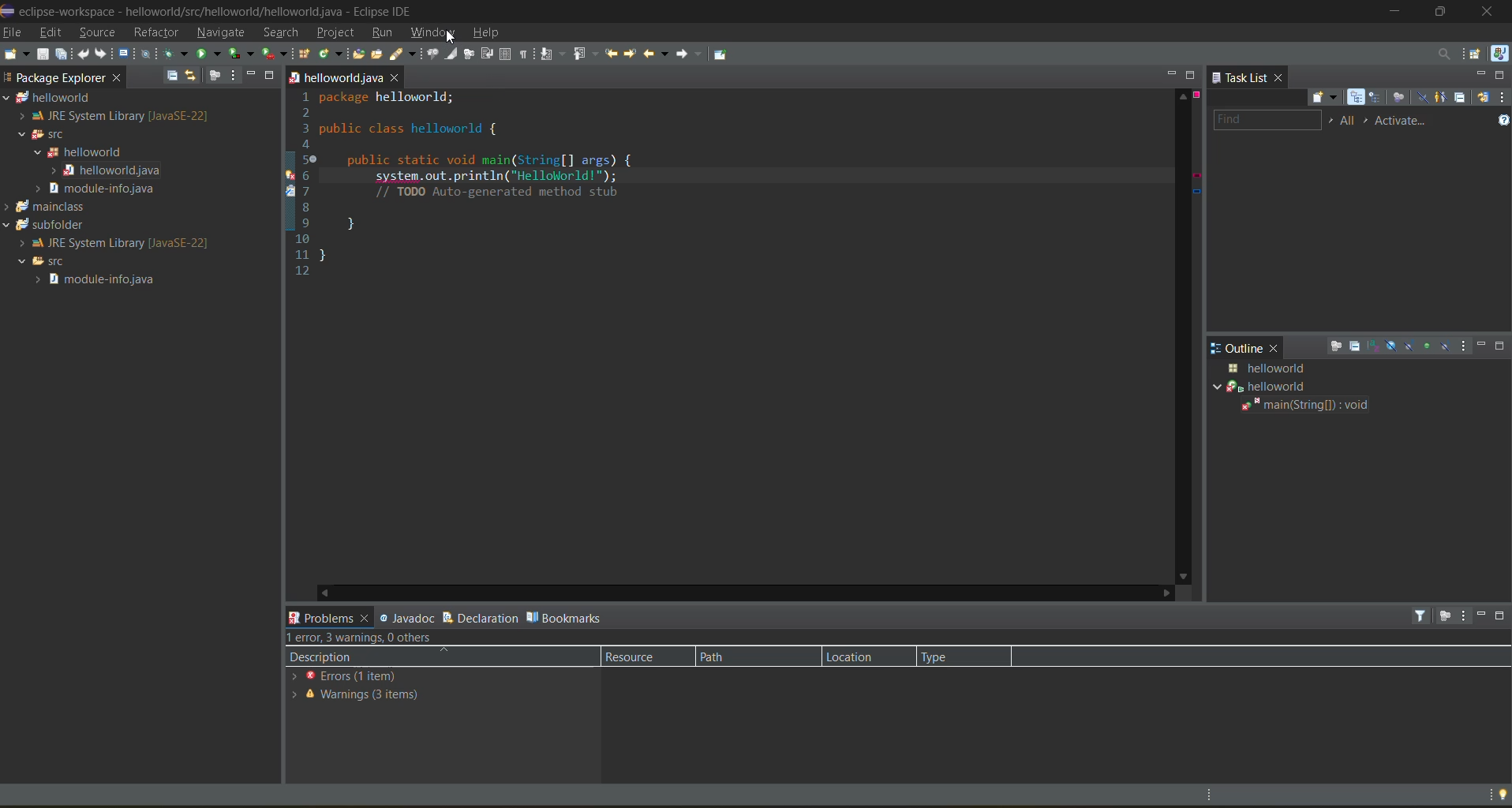 The height and width of the screenshot is (808, 1512). I want to click on errors (1 items), so click(369, 679).